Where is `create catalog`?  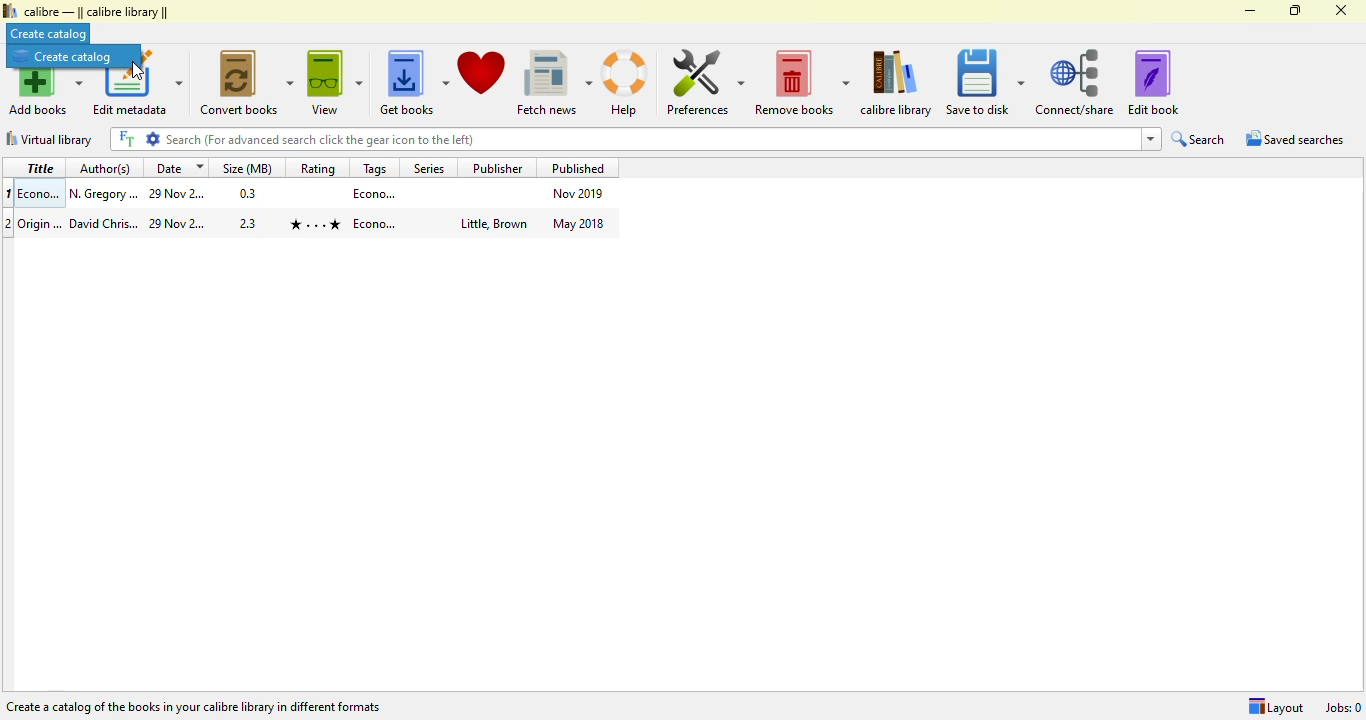 create catalog is located at coordinates (67, 56).